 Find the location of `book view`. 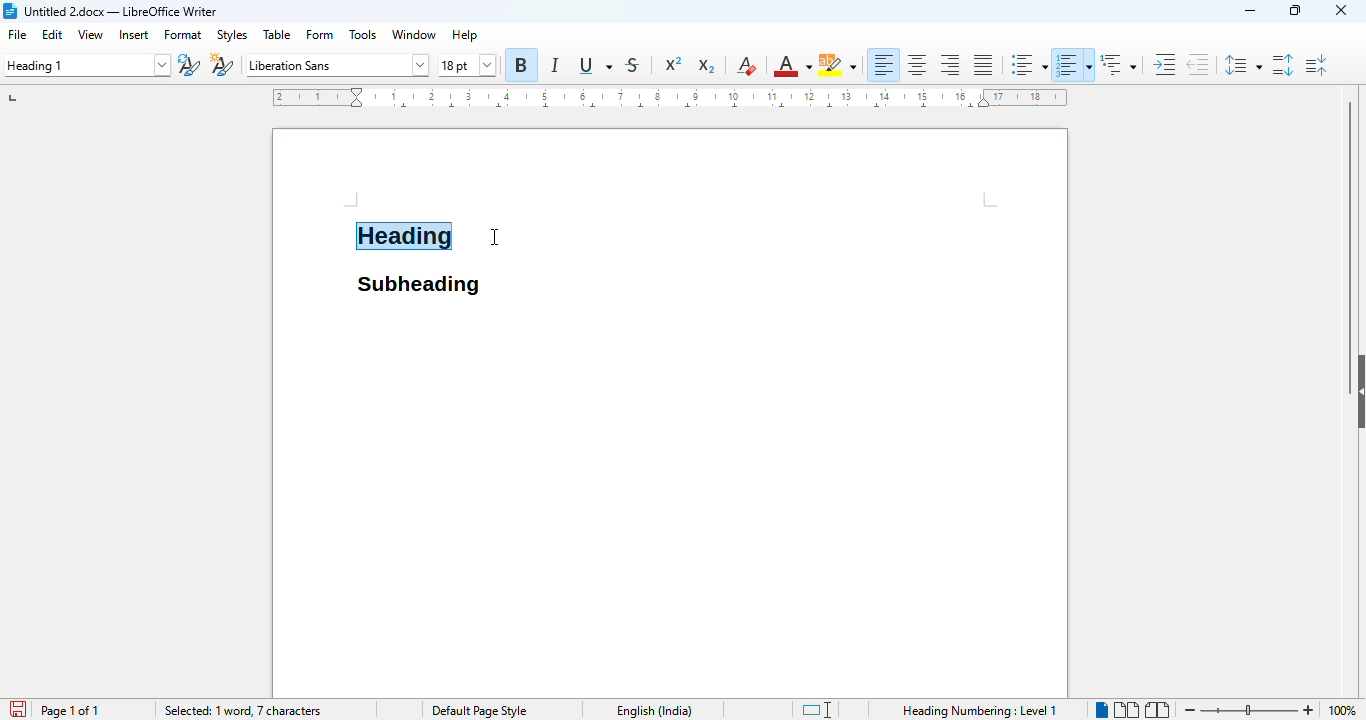

book view is located at coordinates (1156, 710).